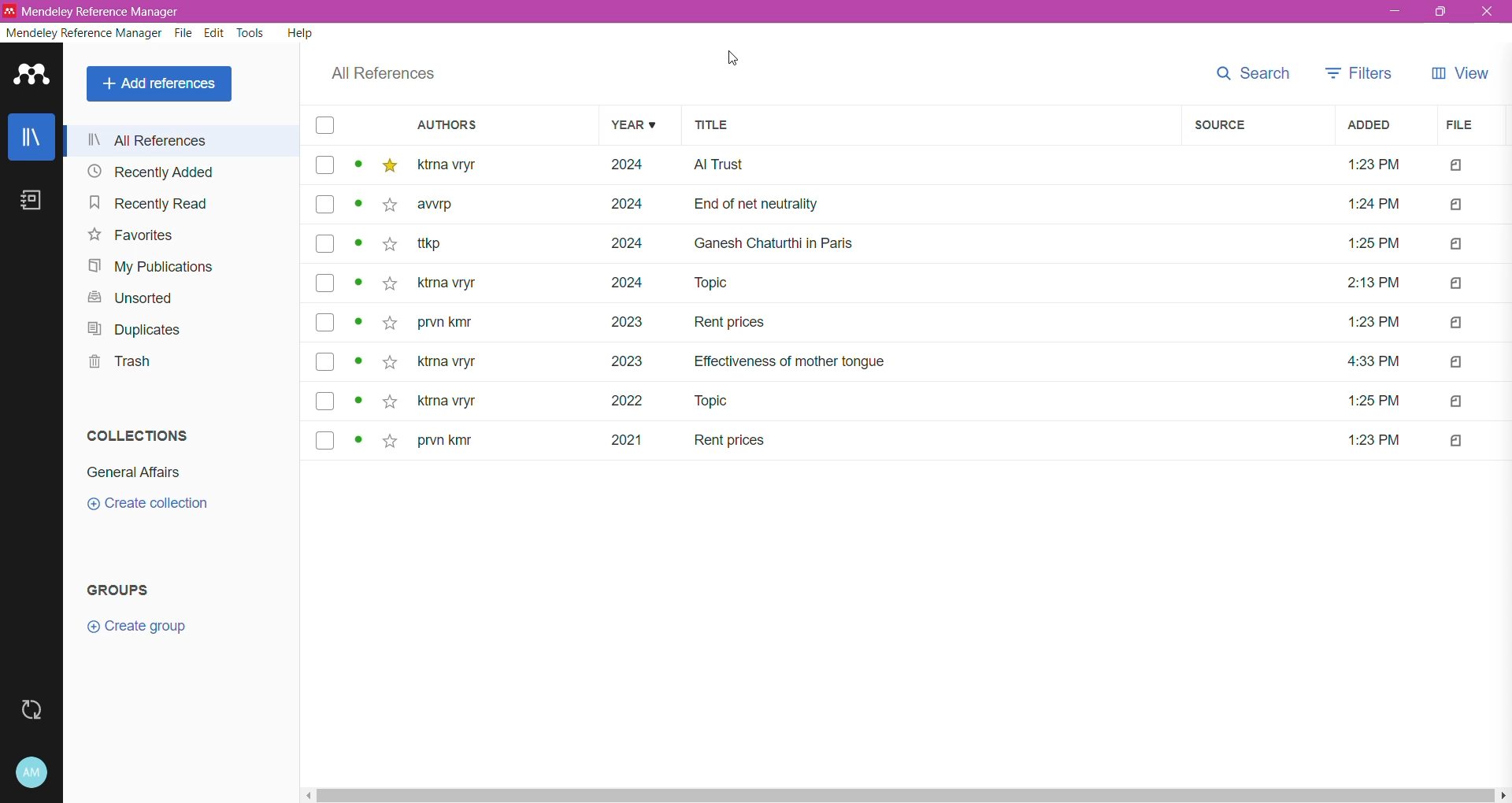 This screenshot has width=1512, height=803. What do you see at coordinates (382, 73) in the screenshot?
I see `All References` at bounding box center [382, 73].